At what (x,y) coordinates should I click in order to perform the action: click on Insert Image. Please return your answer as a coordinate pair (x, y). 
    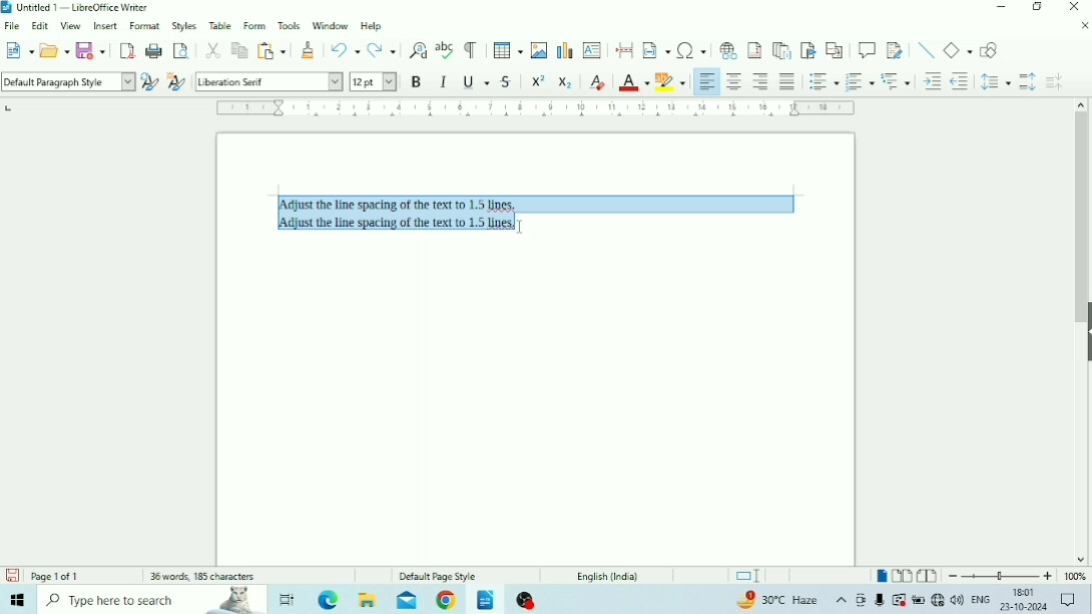
    Looking at the image, I should click on (539, 48).